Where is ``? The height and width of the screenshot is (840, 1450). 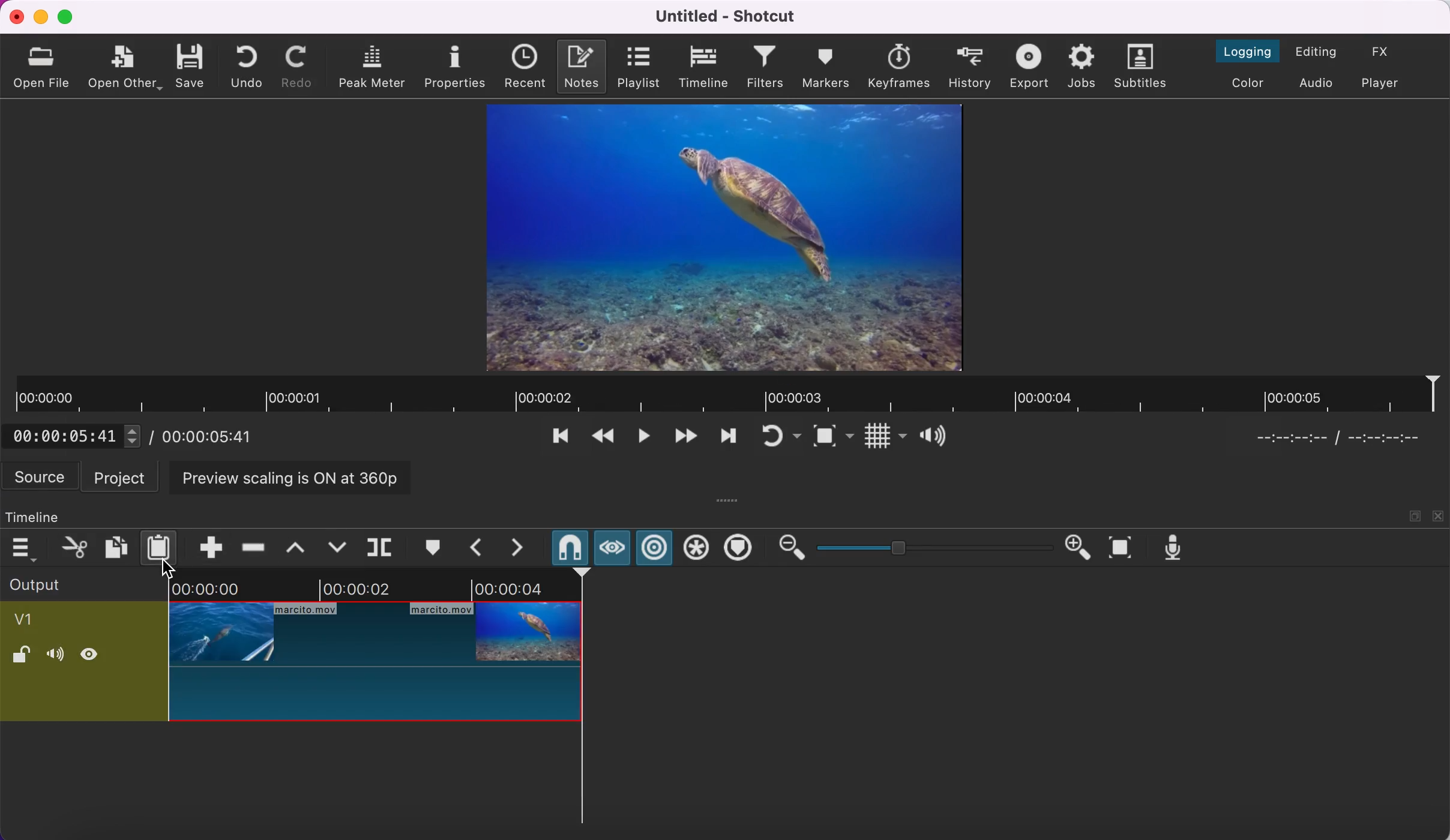
 is located at coordinates (933, 435).